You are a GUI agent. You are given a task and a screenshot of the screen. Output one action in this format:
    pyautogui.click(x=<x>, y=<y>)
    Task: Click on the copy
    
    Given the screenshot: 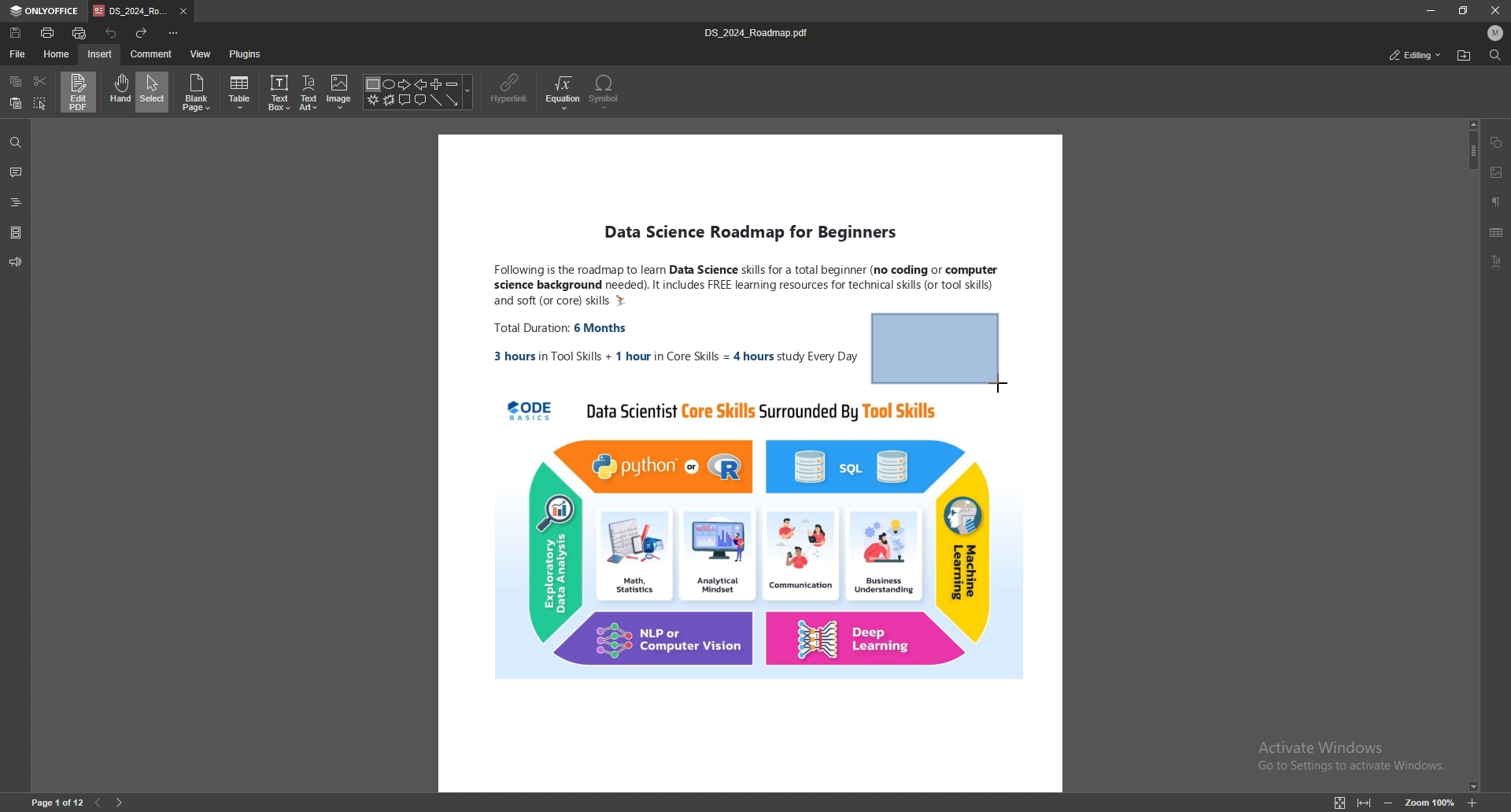 What is the action you would take?
    pyautogui.click(x=17, y=81)
    